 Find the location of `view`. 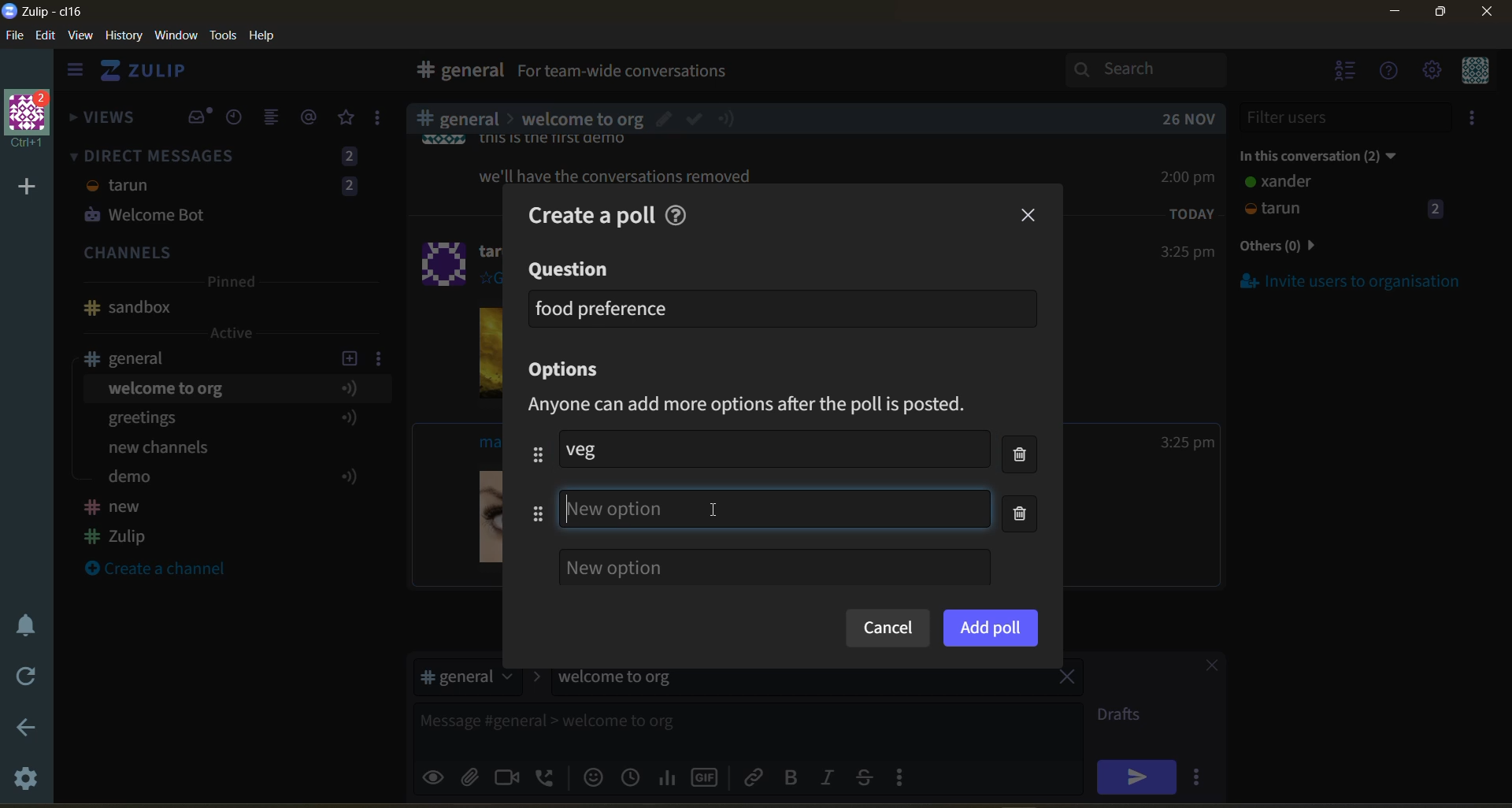

view is located at coordinates (81, 36).